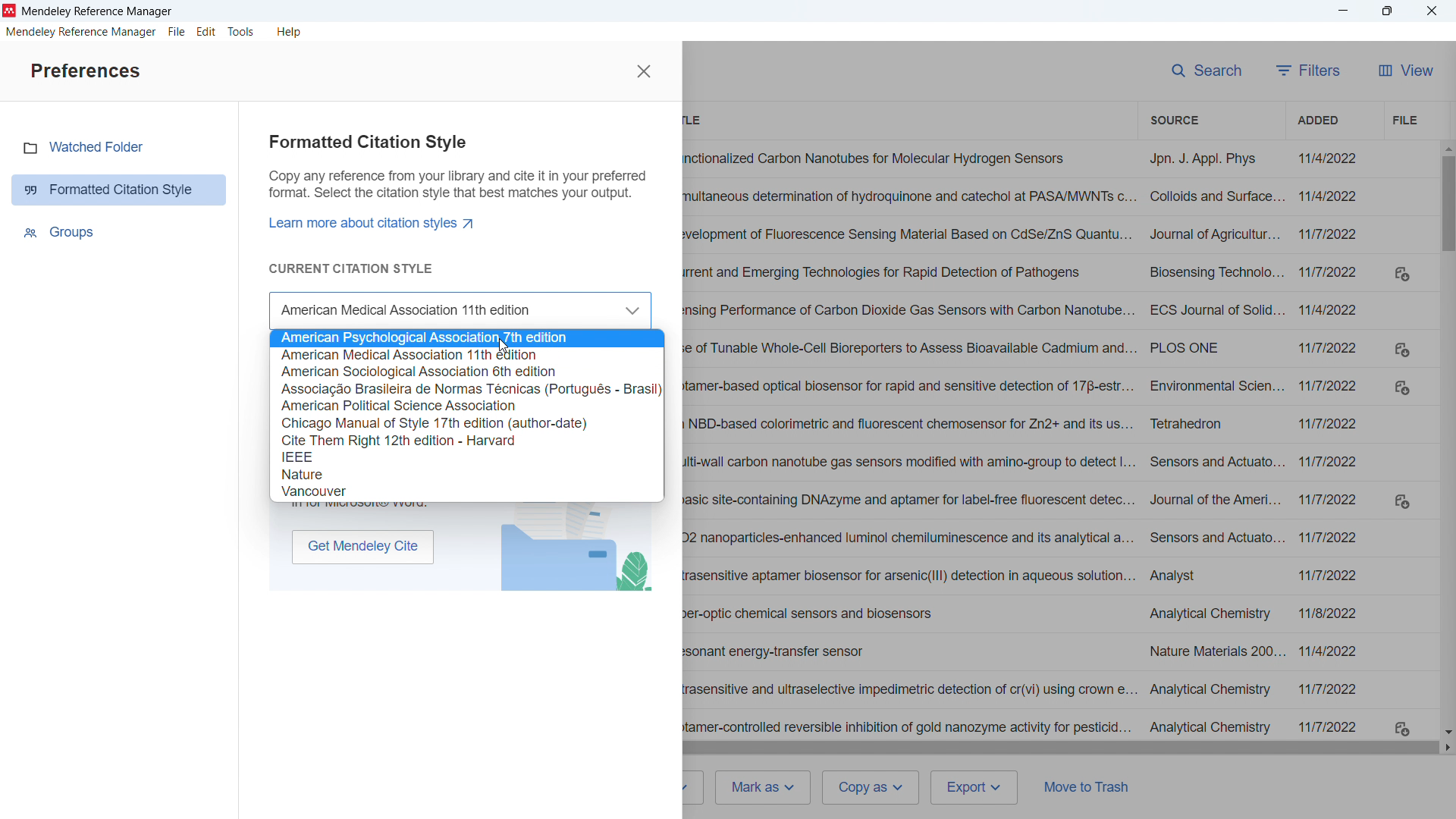 This screenshot has height=819, width=1456. What do you see at coordinates (459, 312) in the screenshot?
I see `Select citation style` at bounding box center [459, 312].